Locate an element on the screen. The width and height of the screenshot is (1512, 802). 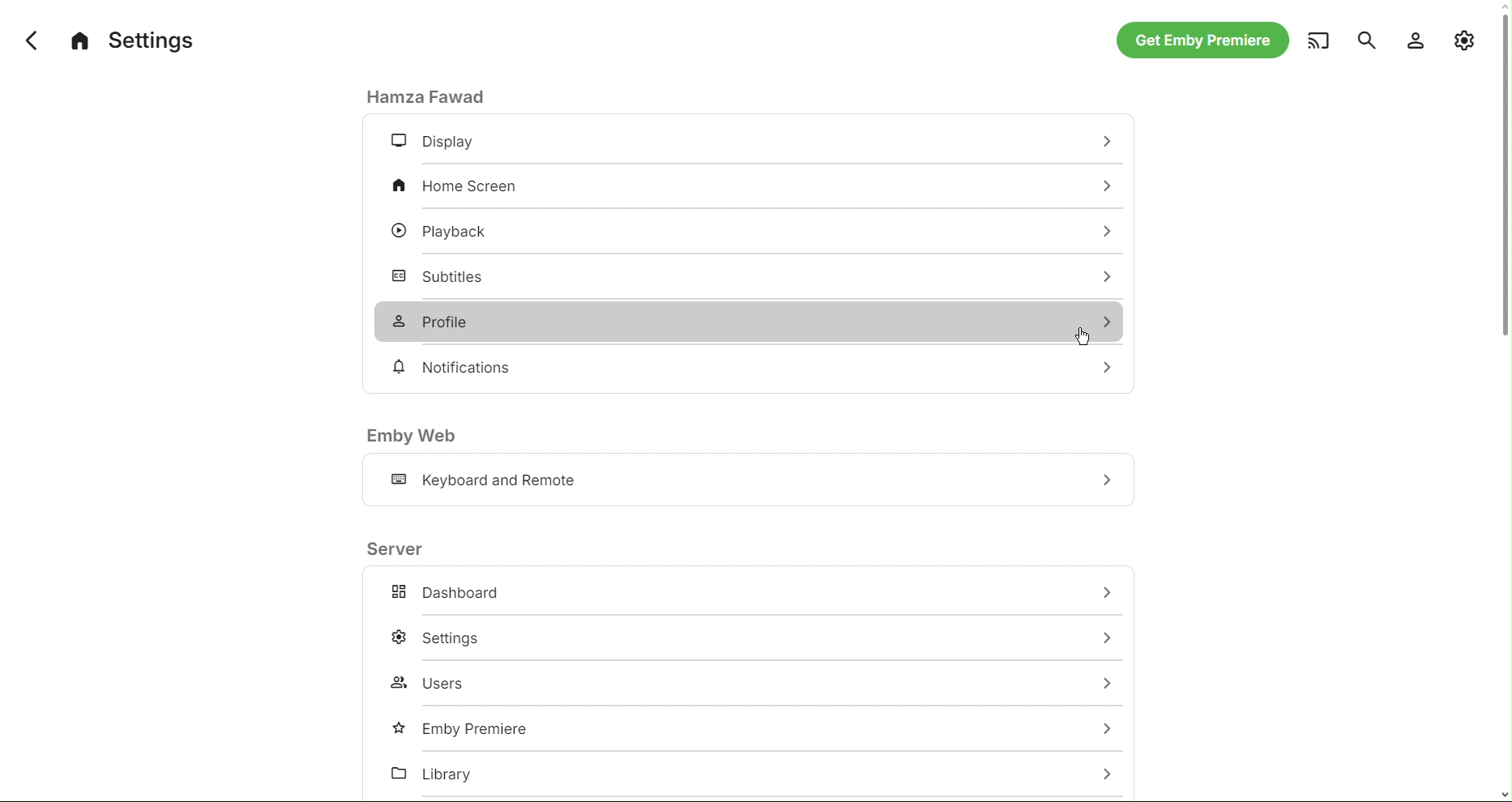
 is located at coordinates (1100, 730).